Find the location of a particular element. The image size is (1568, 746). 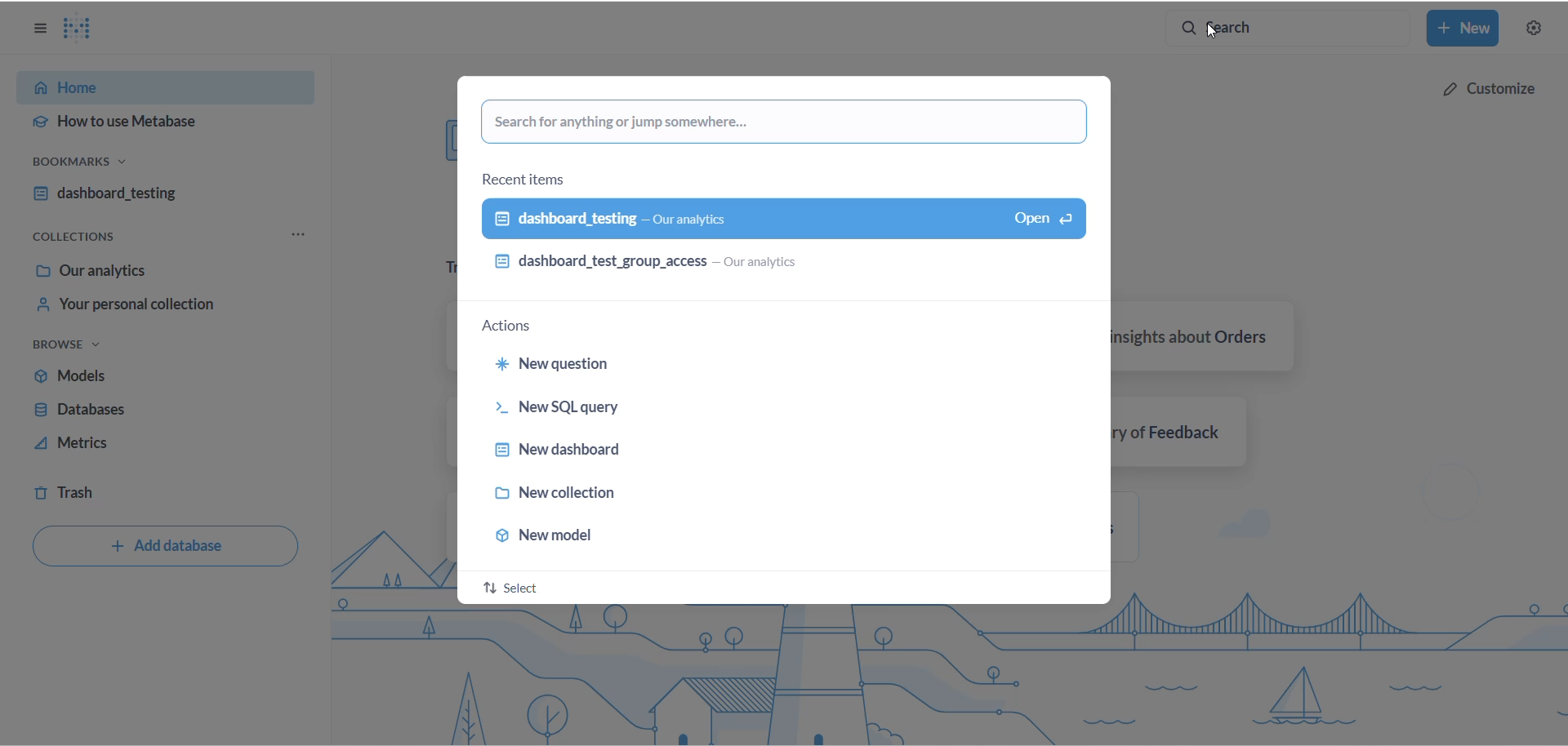

add database is located at coordinates (160, 547).